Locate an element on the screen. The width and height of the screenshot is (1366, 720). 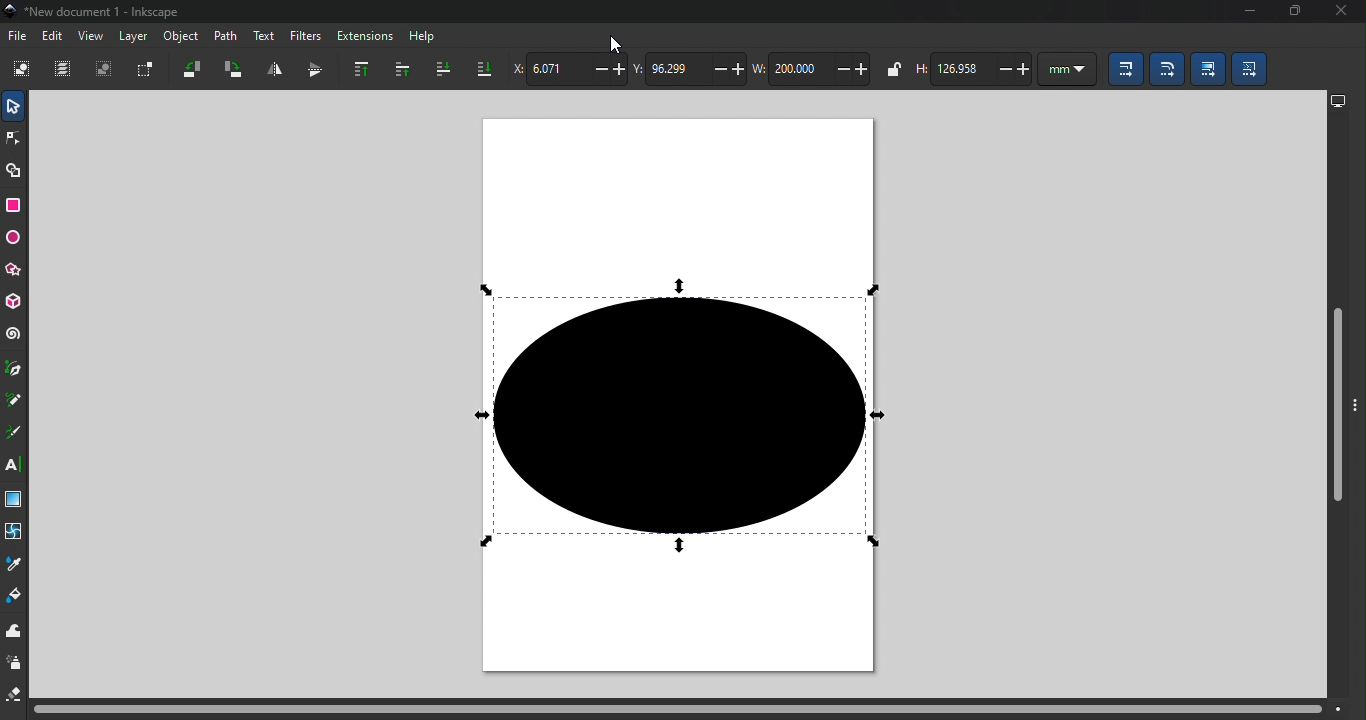
Horizontal coordinate of selection is located at coordinates (571, 71).